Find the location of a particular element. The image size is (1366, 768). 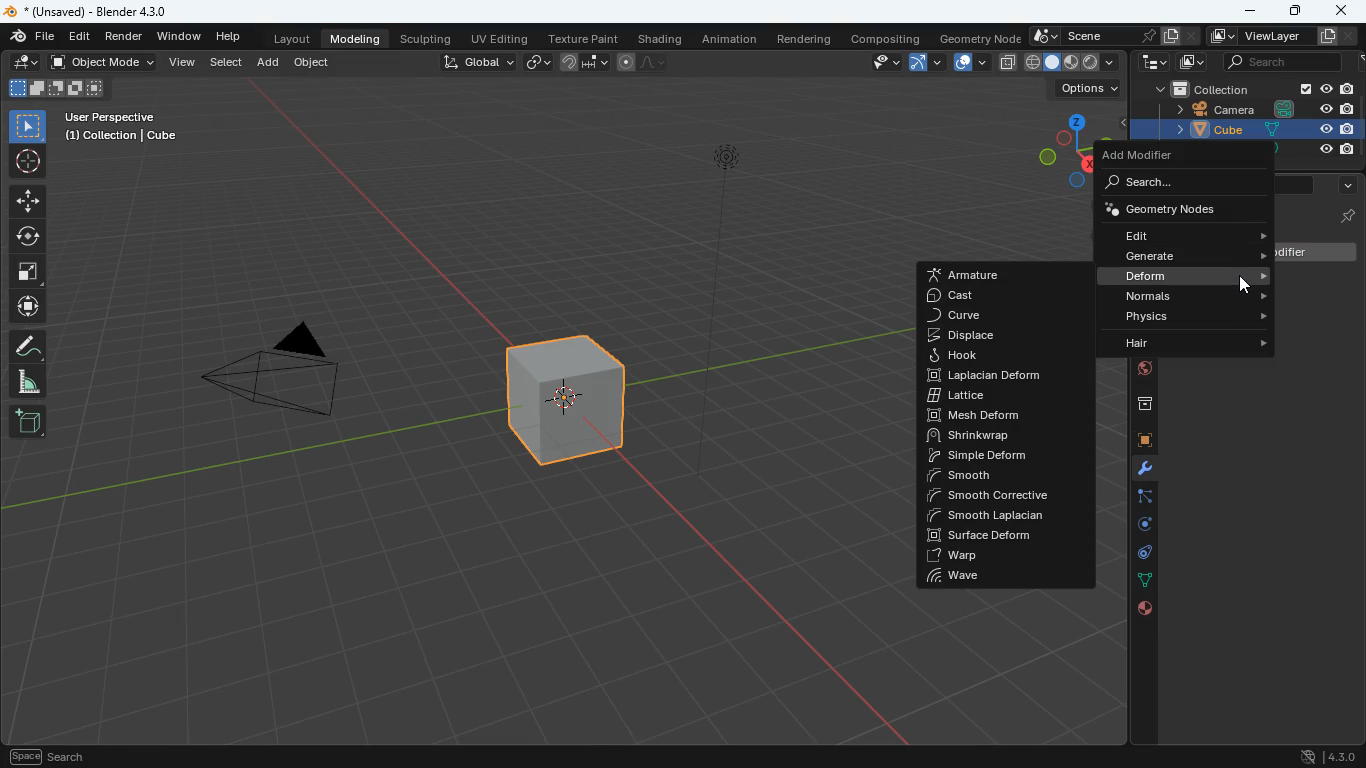

help is located at coordinates (233, 36).